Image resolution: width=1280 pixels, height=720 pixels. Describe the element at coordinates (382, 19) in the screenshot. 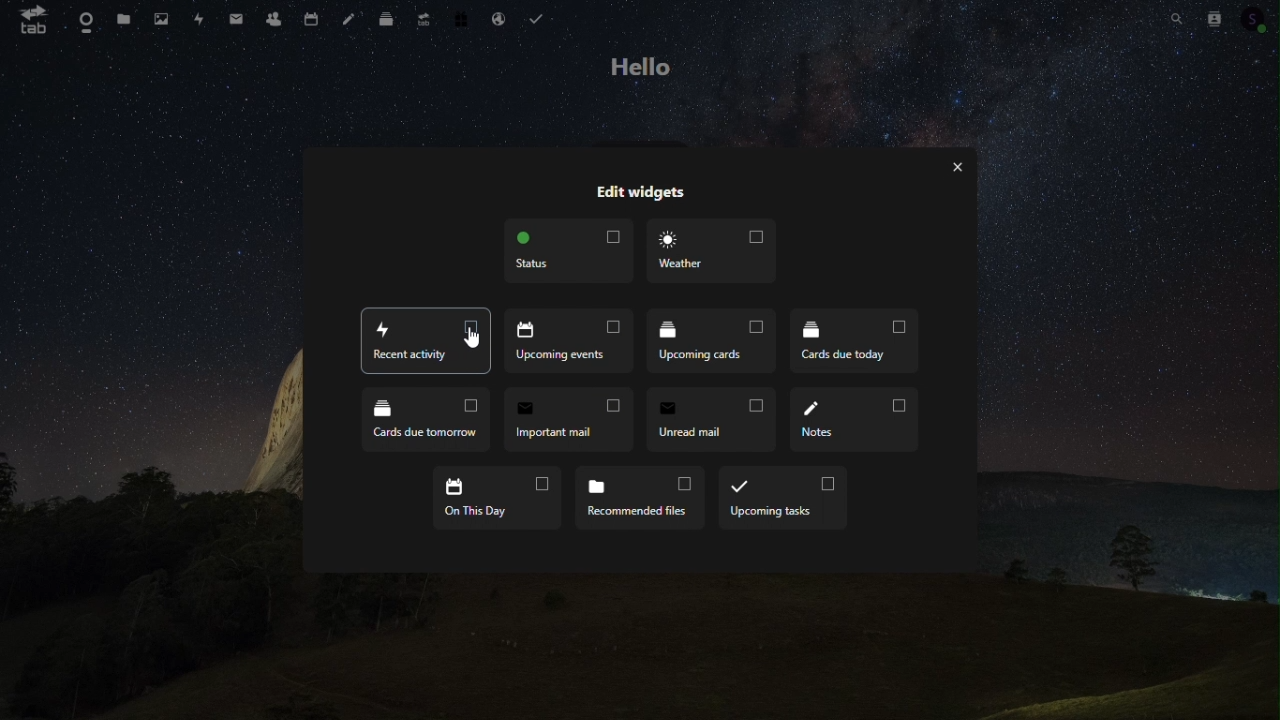

I see `deck` at that location.